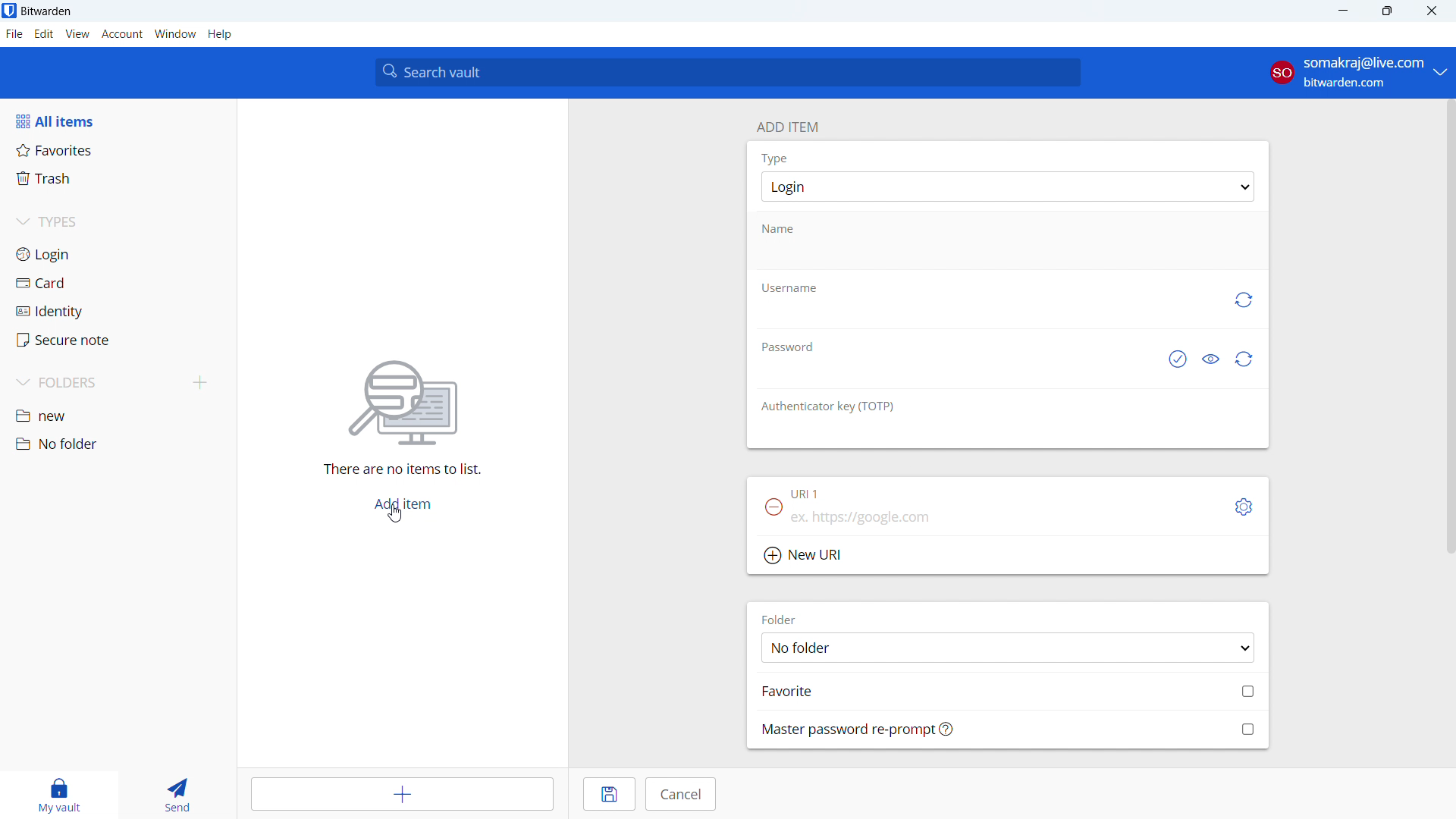  Describe the element at coordinates (950, 375) in the screenshot. I see `add password` at that location.